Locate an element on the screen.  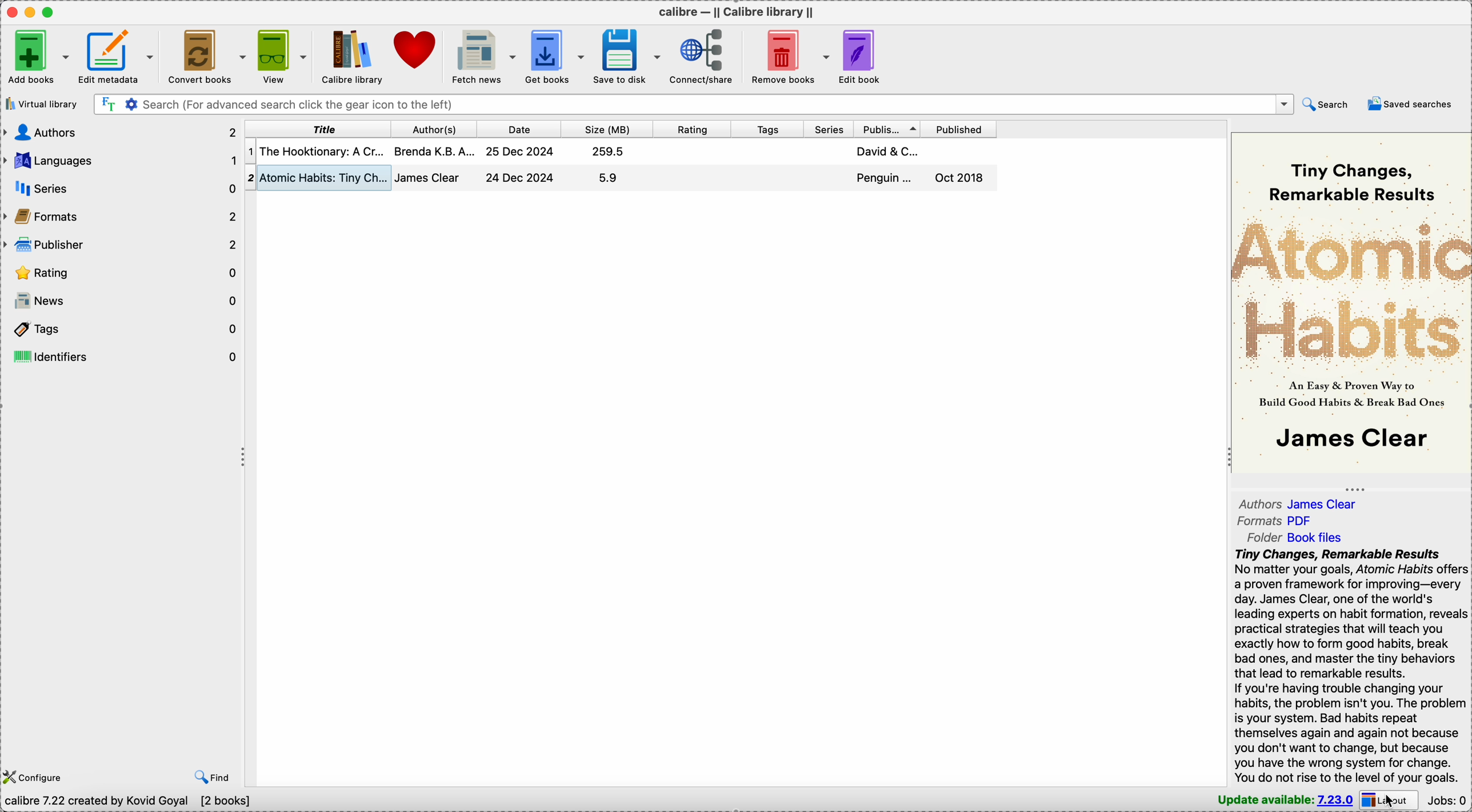
saved searches is located at coordinates (1415, 105).